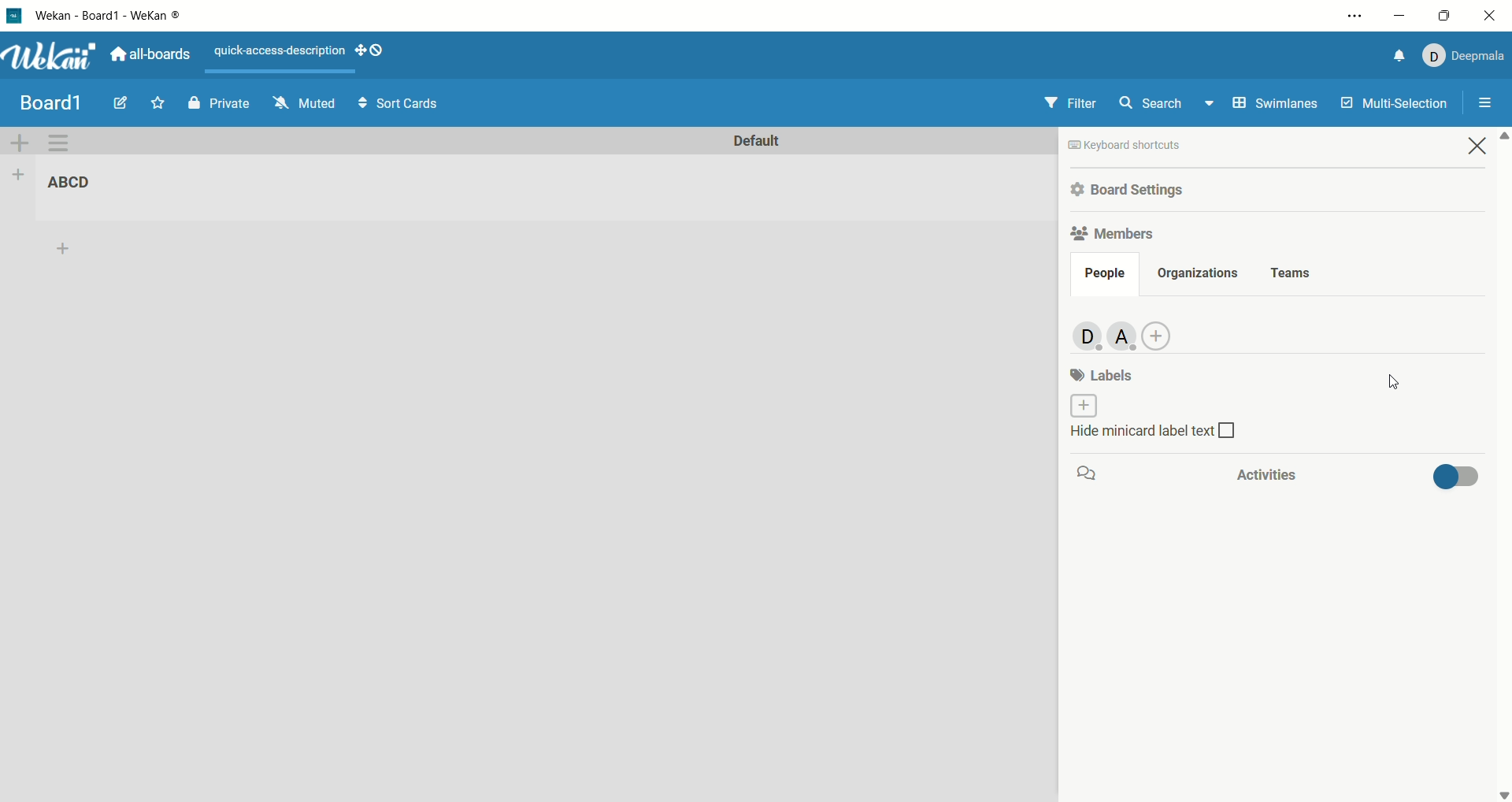  What do you see at coordinates (399, 102) in the screenshot?
I see `sort cards` at bounding box center [399, 102].